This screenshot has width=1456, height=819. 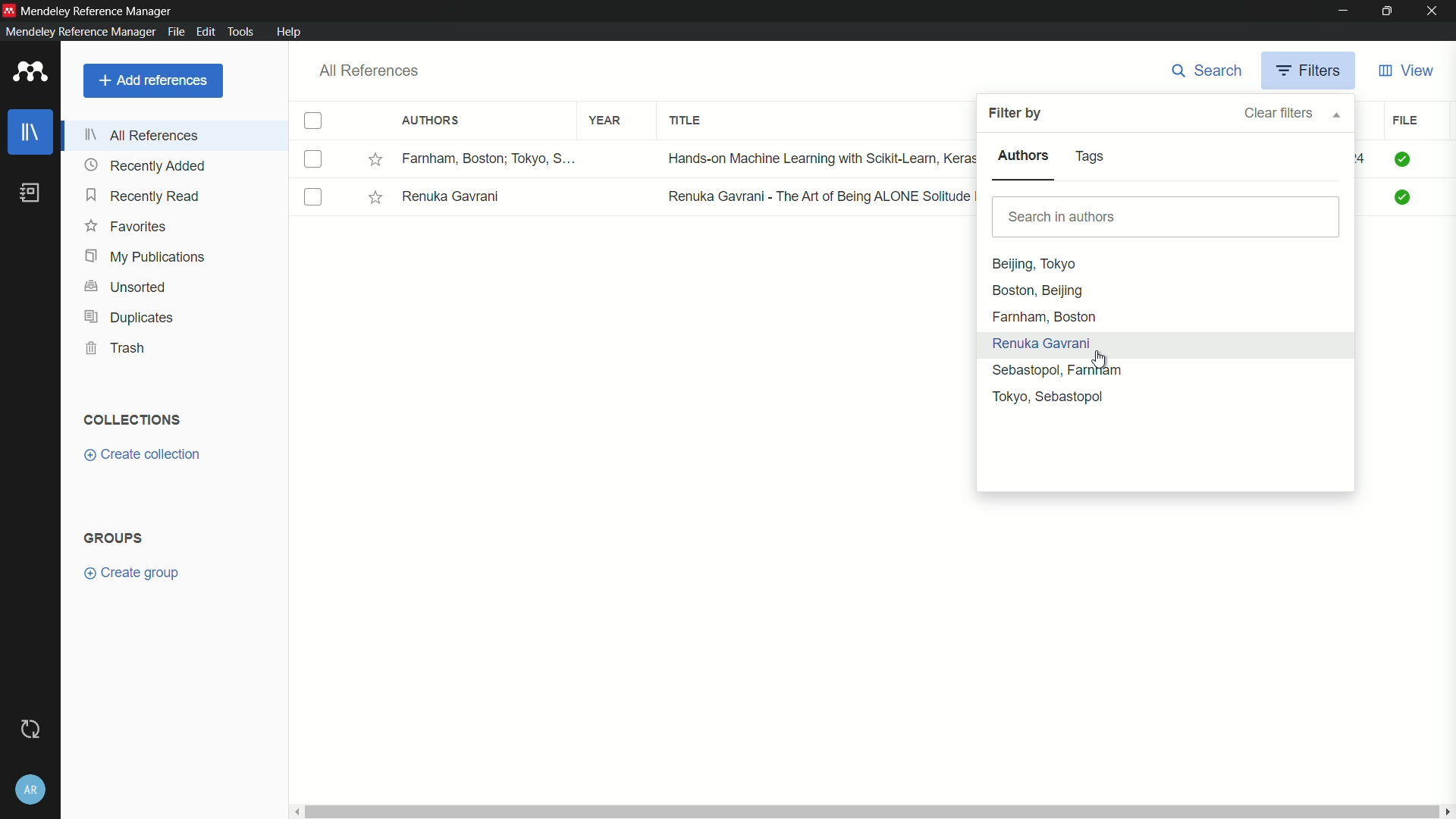 What do you see at coordinates (143, 135) in the screenshot?
I see `all references` at bounding box center [143, 135].